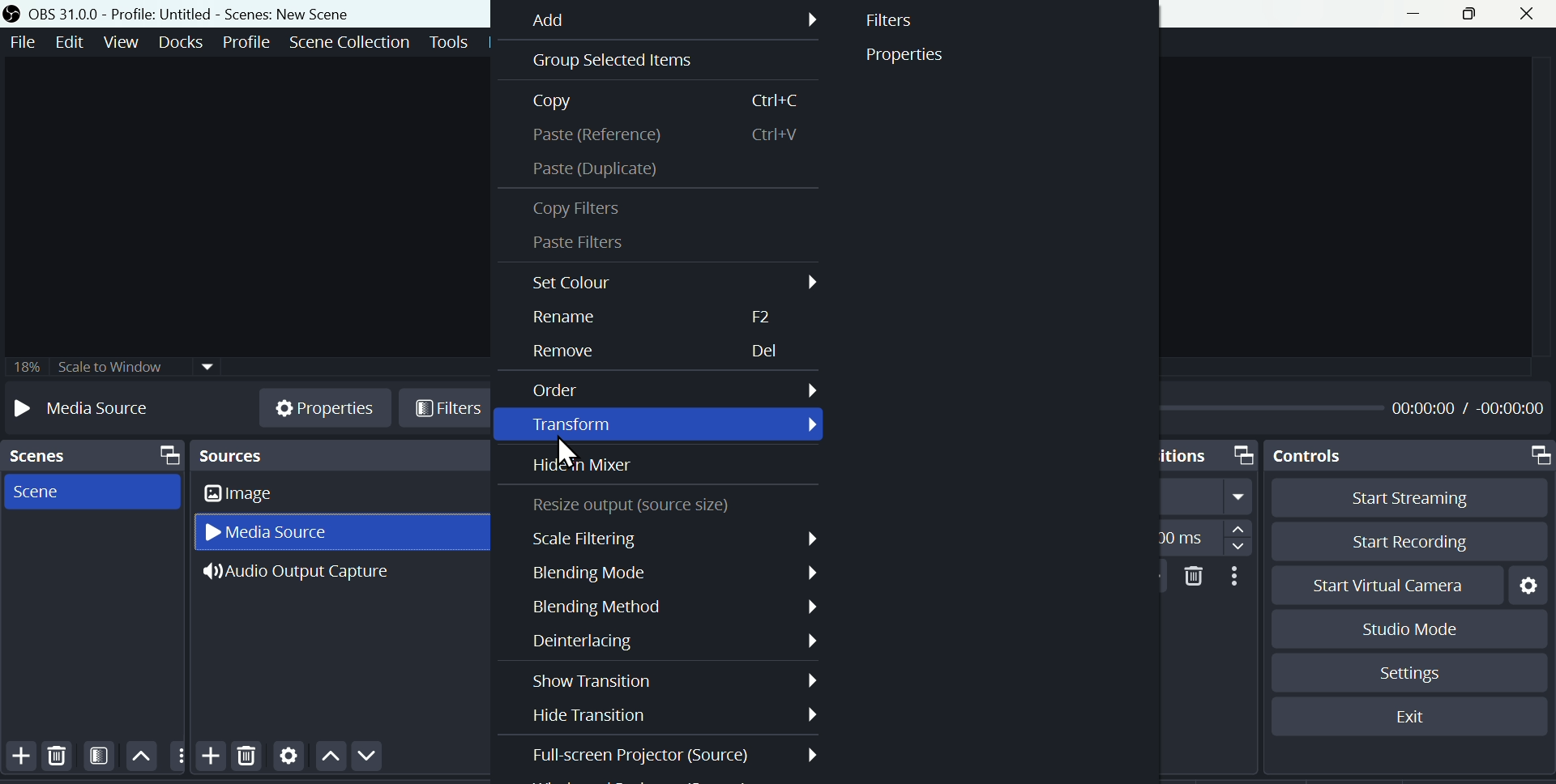 This screenshot has height=784, width=1556. Describe the element at coordinates (652, 354) in the screenshot. I see `Remove` at that location.